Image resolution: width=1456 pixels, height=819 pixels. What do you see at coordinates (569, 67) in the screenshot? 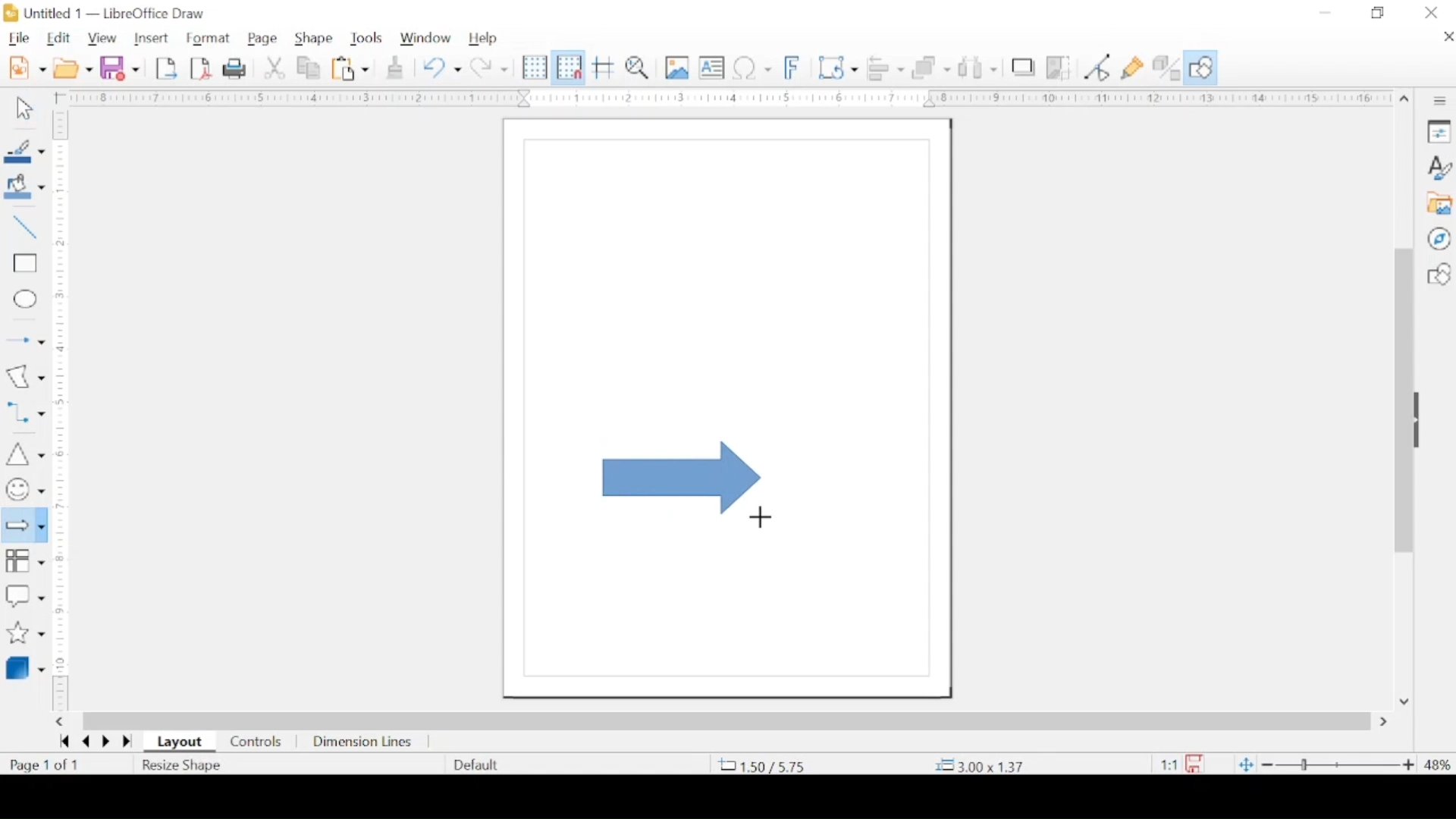
I see `snap to grid` at bounding box center [569, 67].